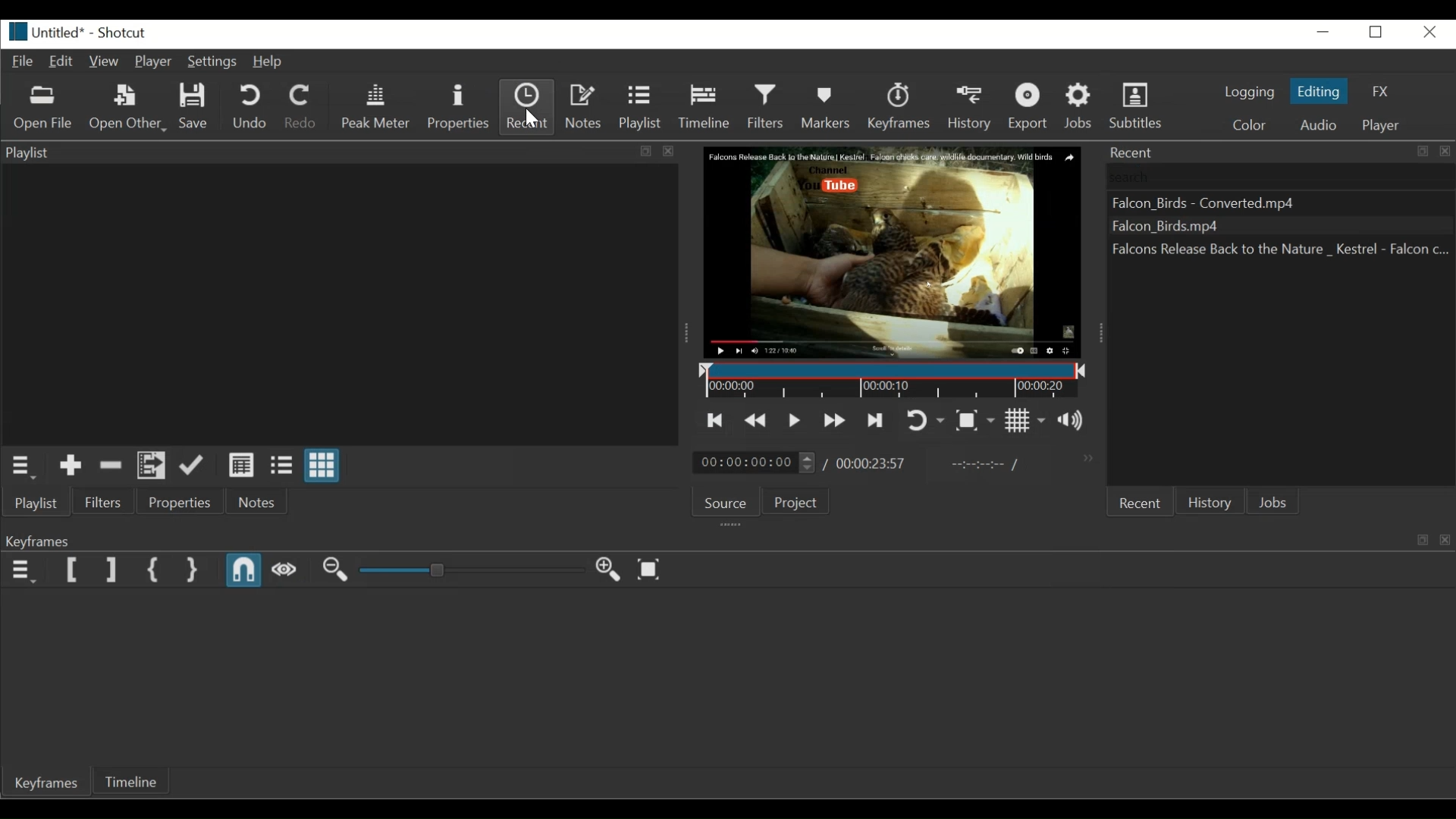 The height and width of the screenshot is (819, 1456). What do you see at coordinates (271, 63) in the screenshot?
I see `Help` at bounding box center [271, 63].